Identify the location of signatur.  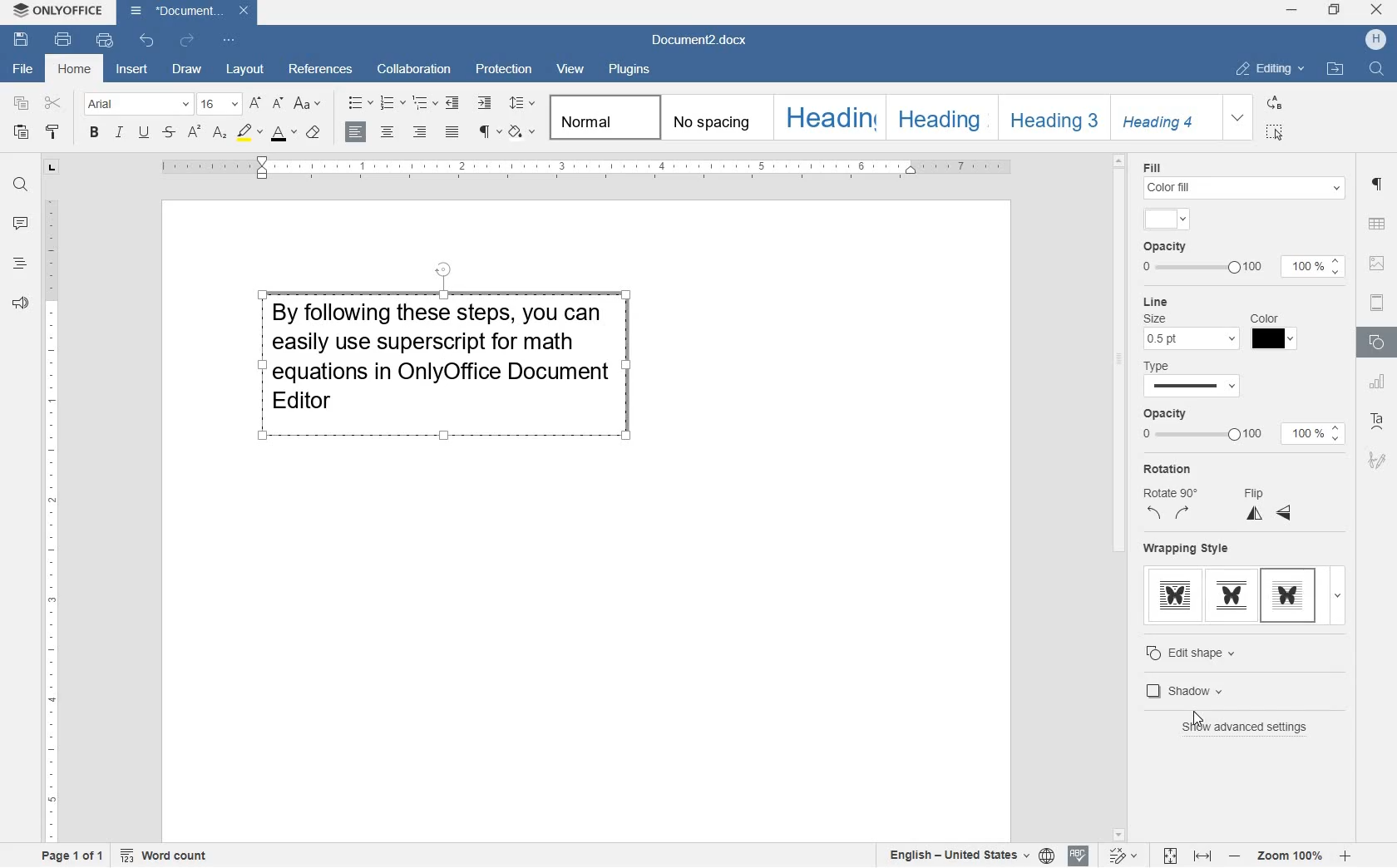
(1377, 462).